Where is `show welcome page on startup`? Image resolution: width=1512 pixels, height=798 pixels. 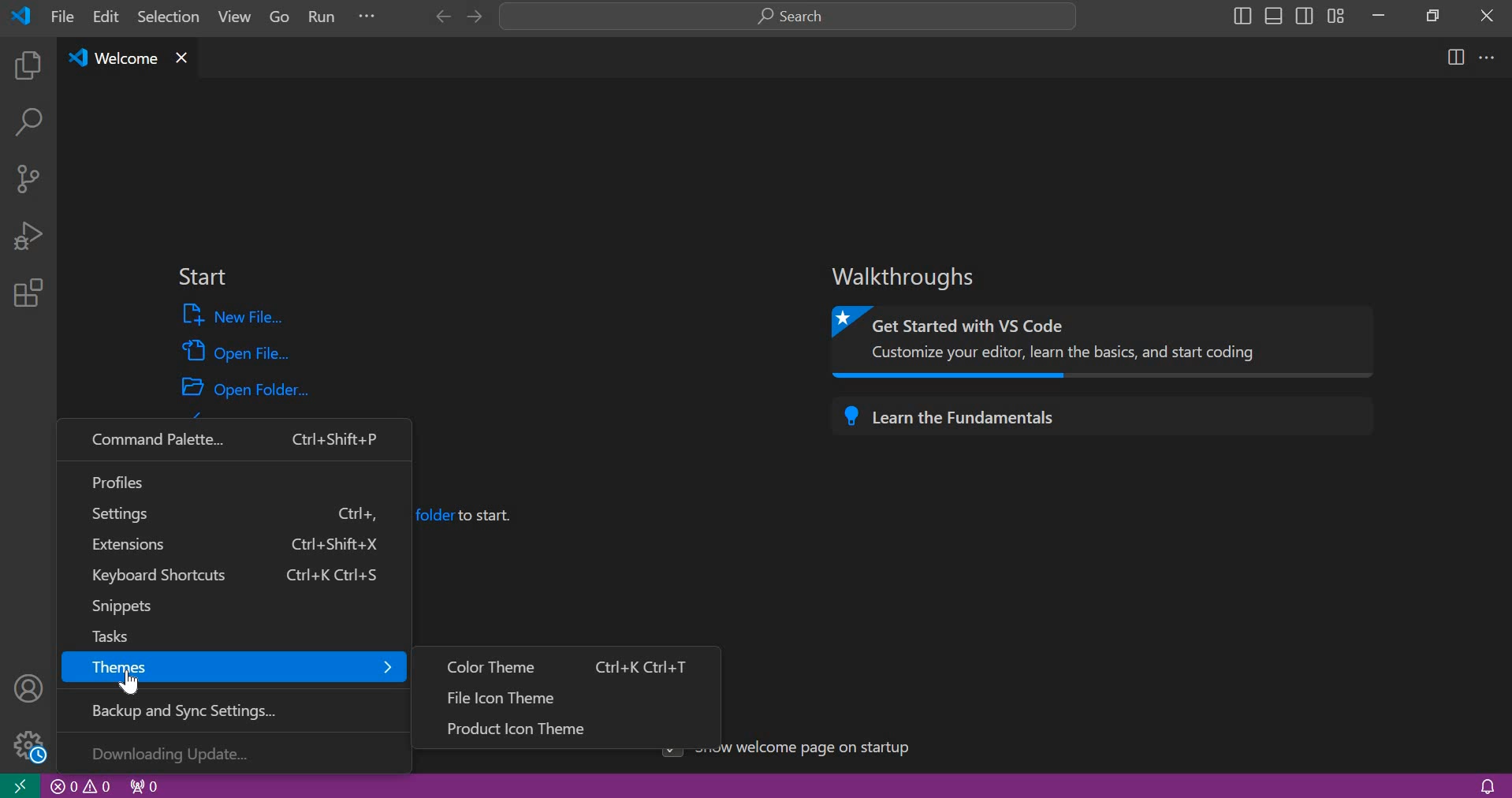 show welcome page on startup is located at coordinates (823, 751).